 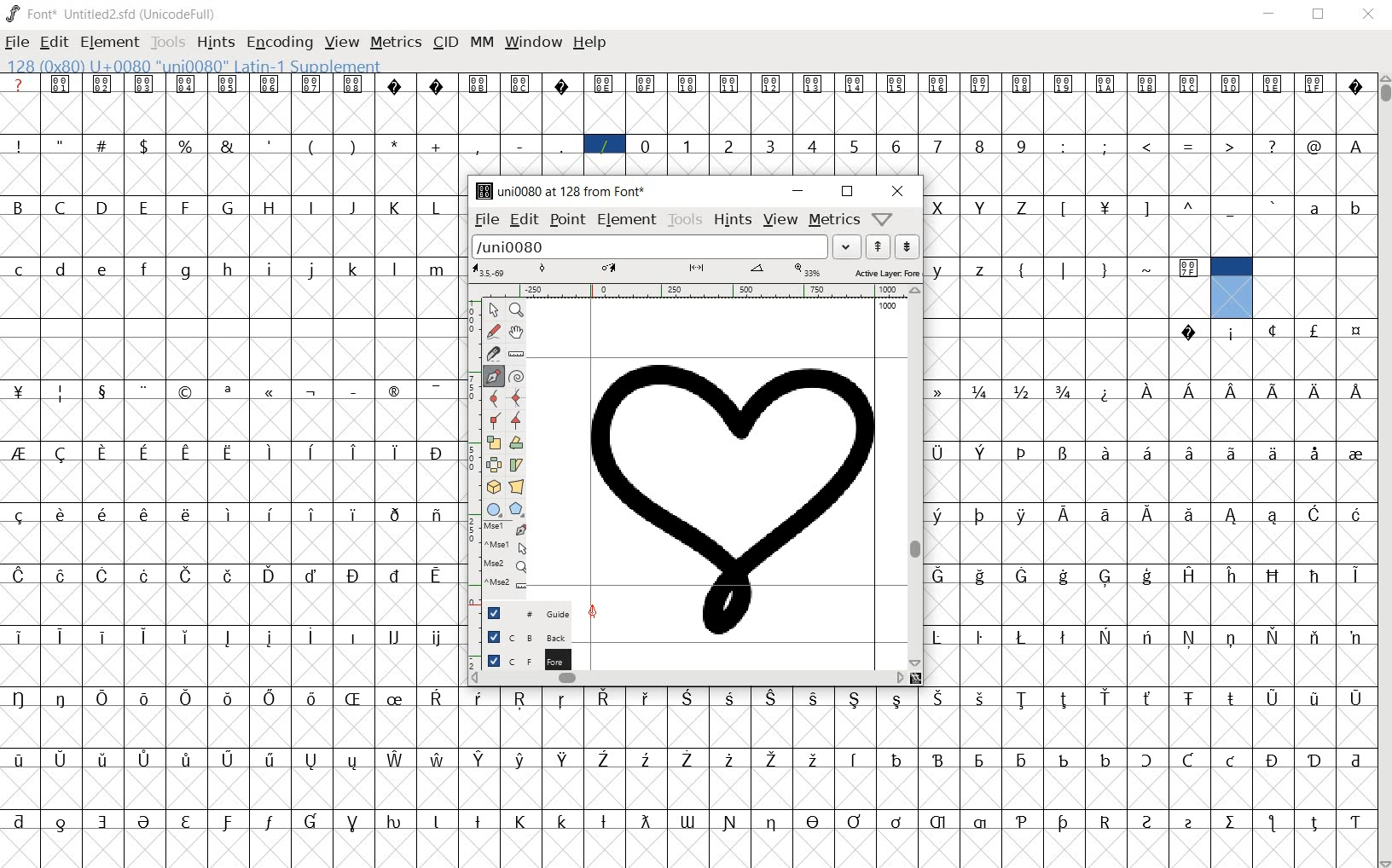 I want to click on glyph, so click(x=476, y=147).